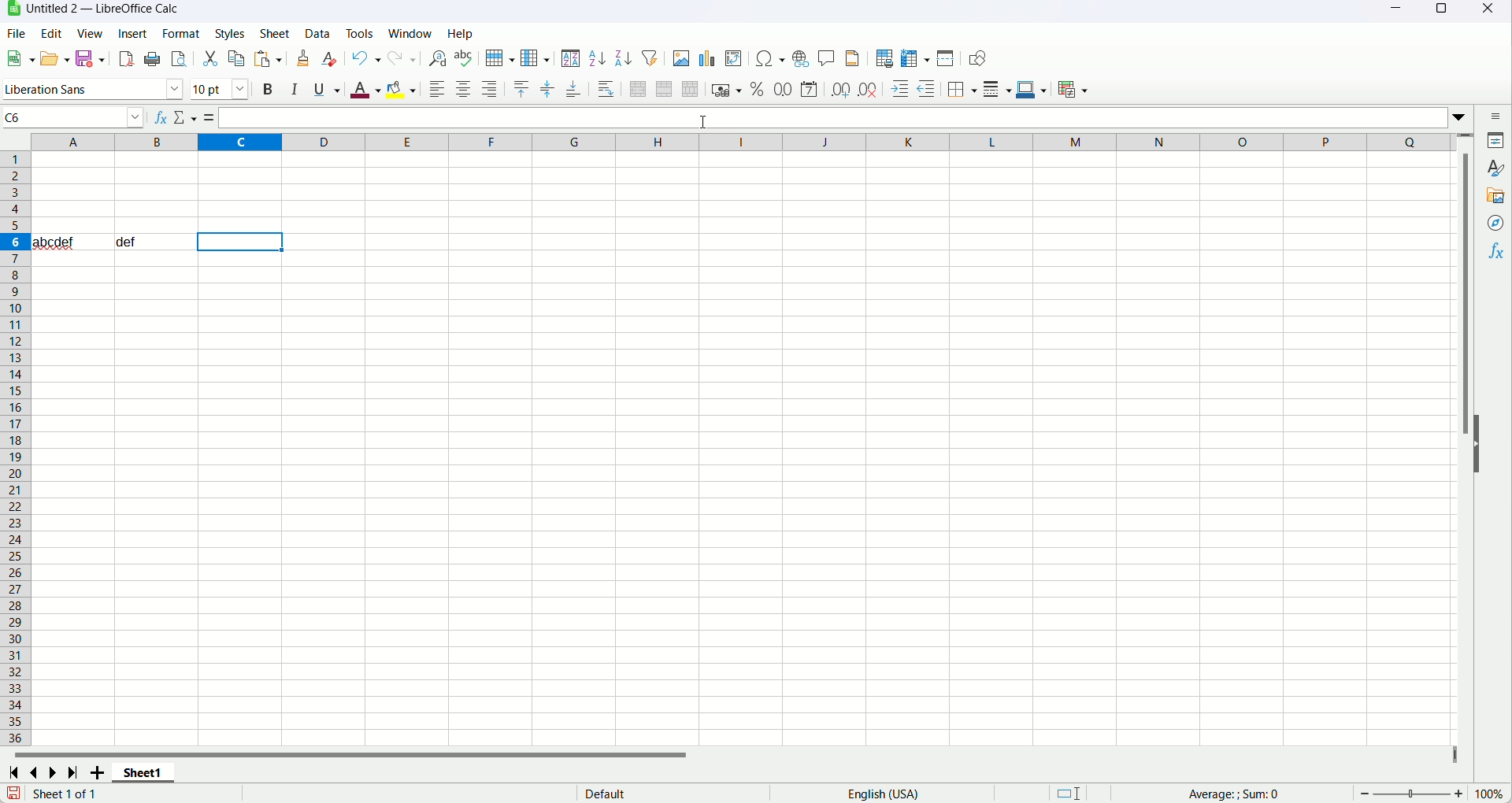  What do you see at coordinates (292, 88) in the screenshot?
I see `italics` at bounding box center [292, 88].